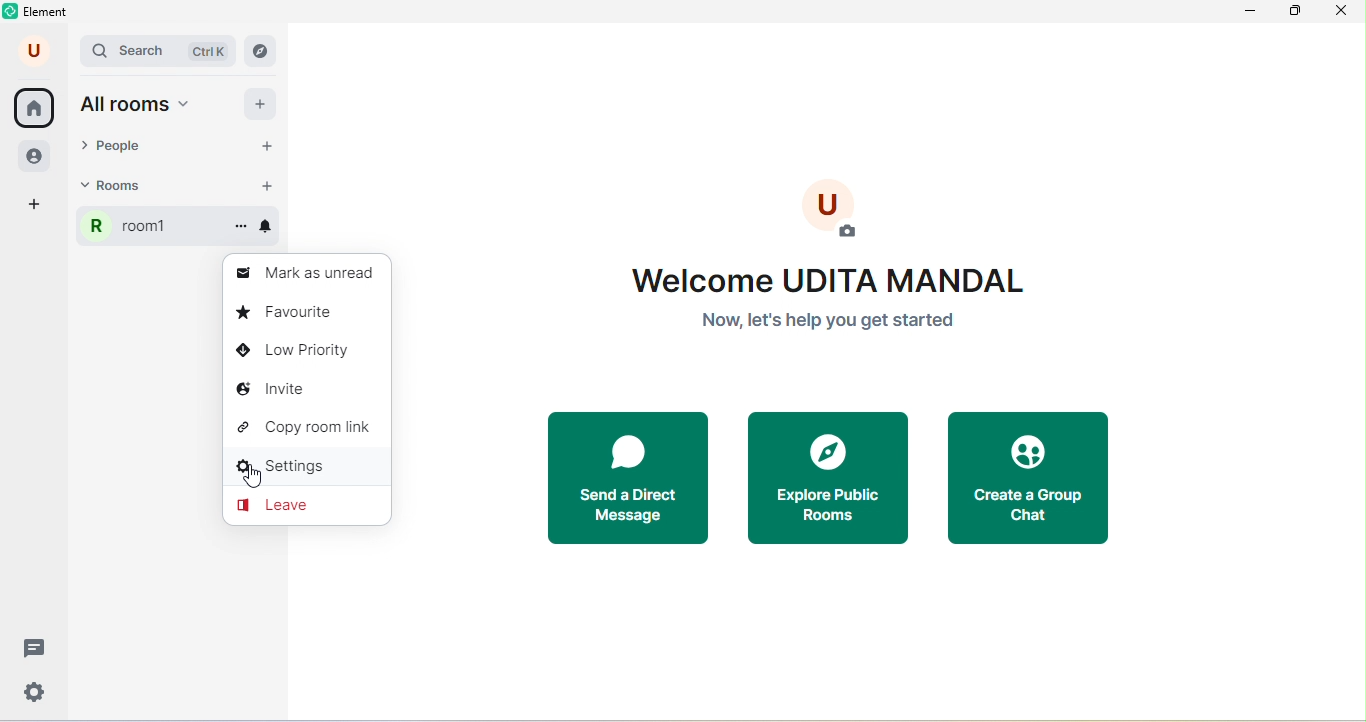 The height and width of the screenshot is (722, 1366). I want to click on maximize, so click(1298, 13).